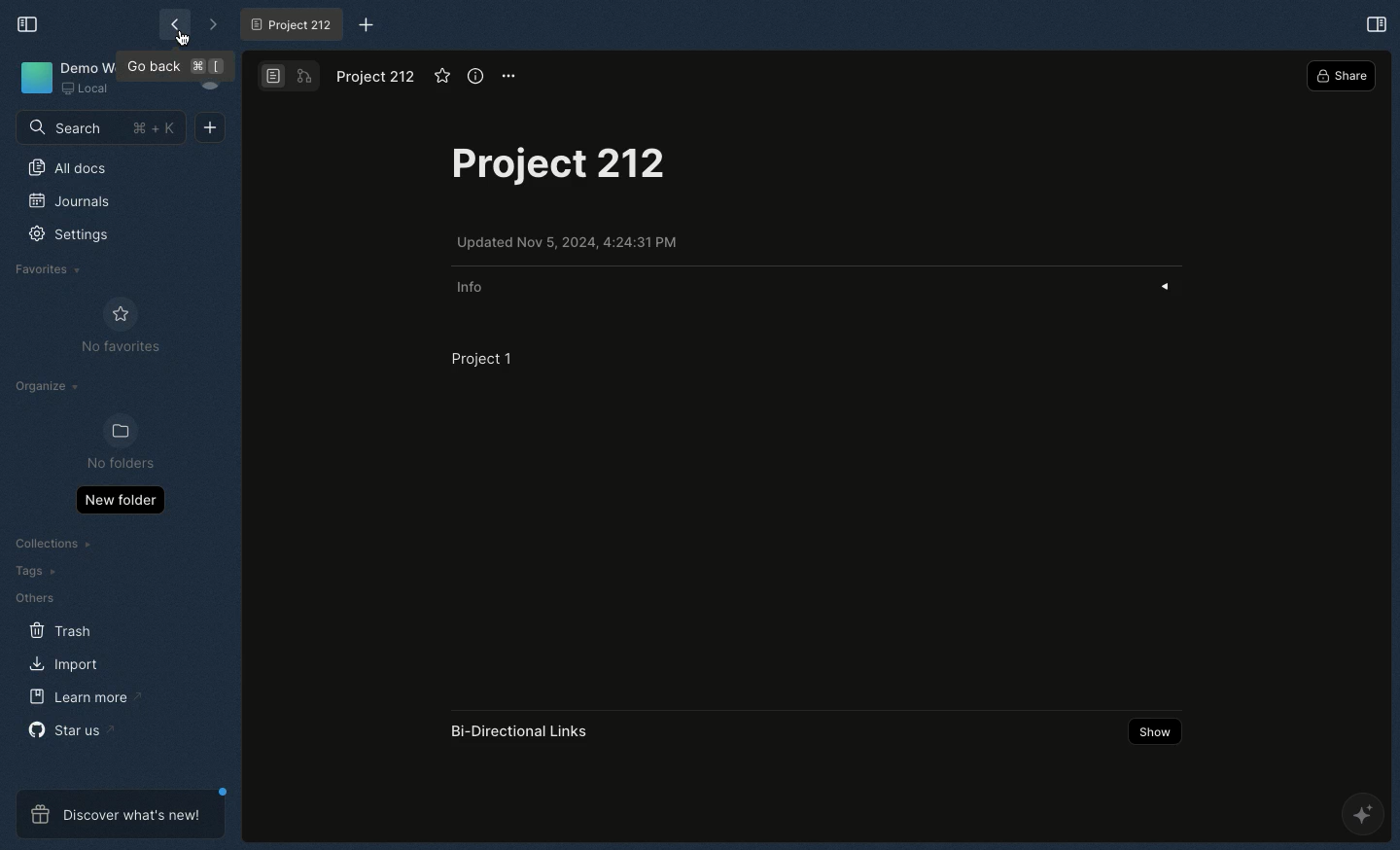 The image size is (1400, 850). Describe the element at coordinates (68, 728) in the screenshot. I see `Star us` at that location.